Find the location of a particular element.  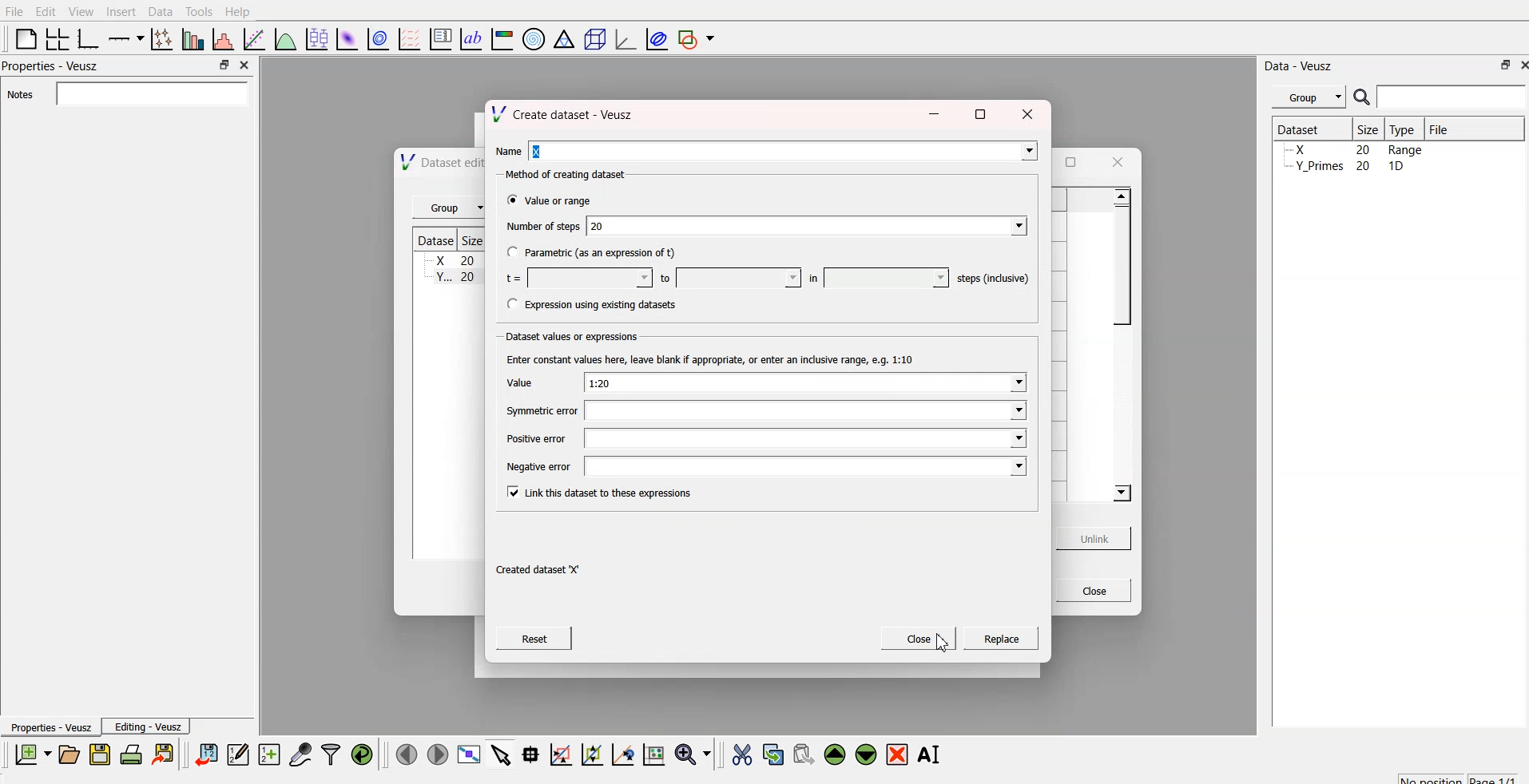

maximize is located at coordinates (1070, 160).